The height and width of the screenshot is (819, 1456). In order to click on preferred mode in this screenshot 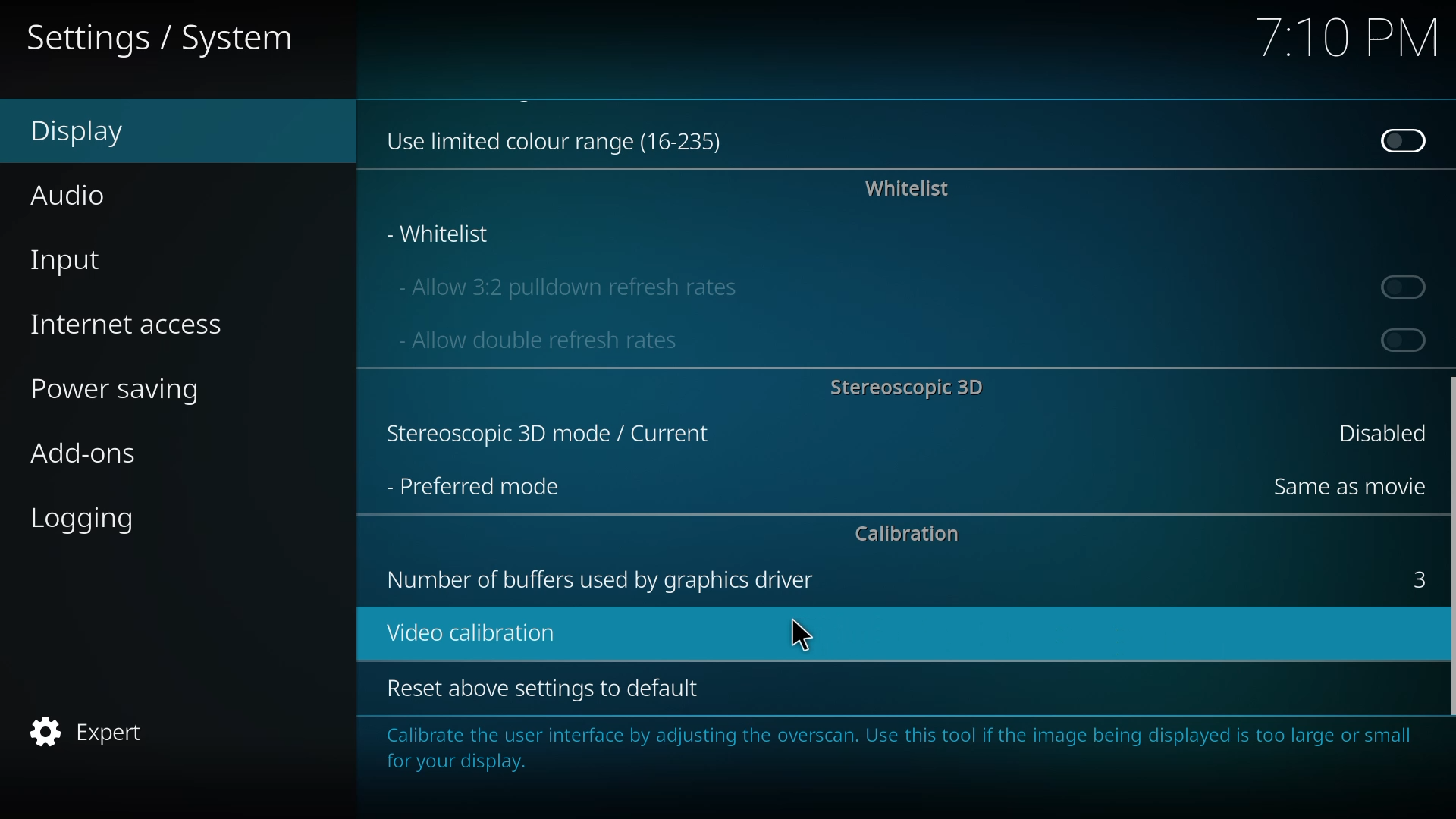, I will do `click(473, 486)`.